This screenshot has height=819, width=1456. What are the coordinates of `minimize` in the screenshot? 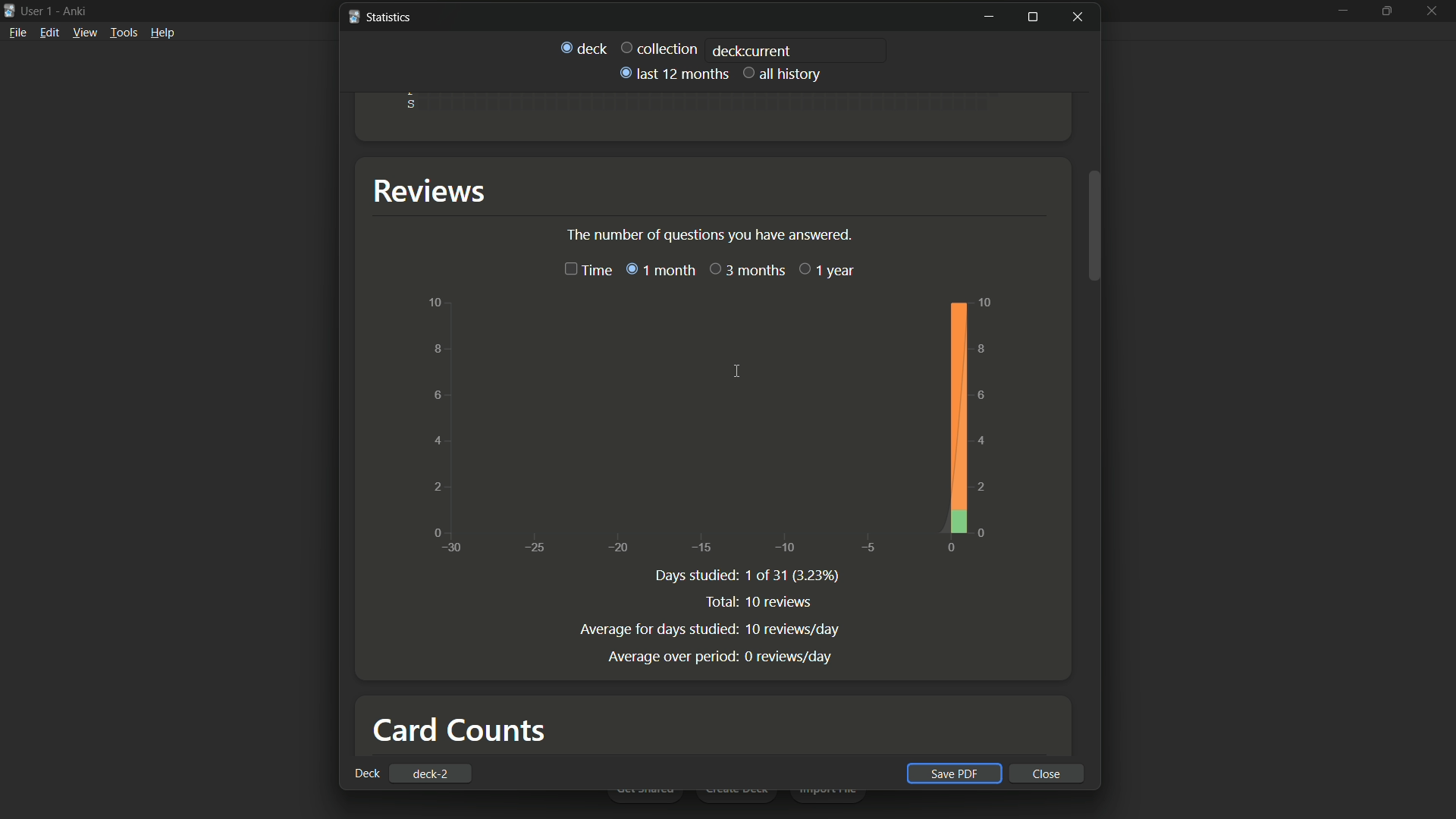 It's located at (1339, 17).